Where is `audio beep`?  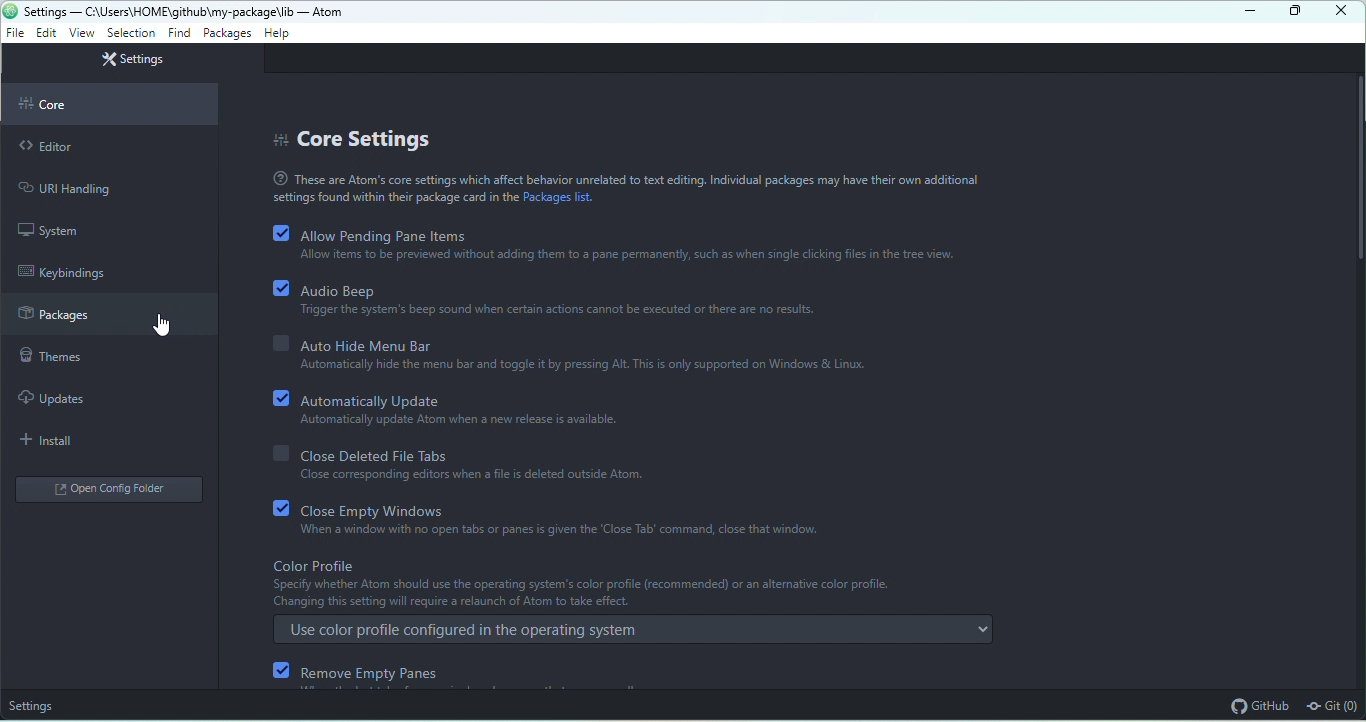 audio beep is located at coordinates (350, 289).